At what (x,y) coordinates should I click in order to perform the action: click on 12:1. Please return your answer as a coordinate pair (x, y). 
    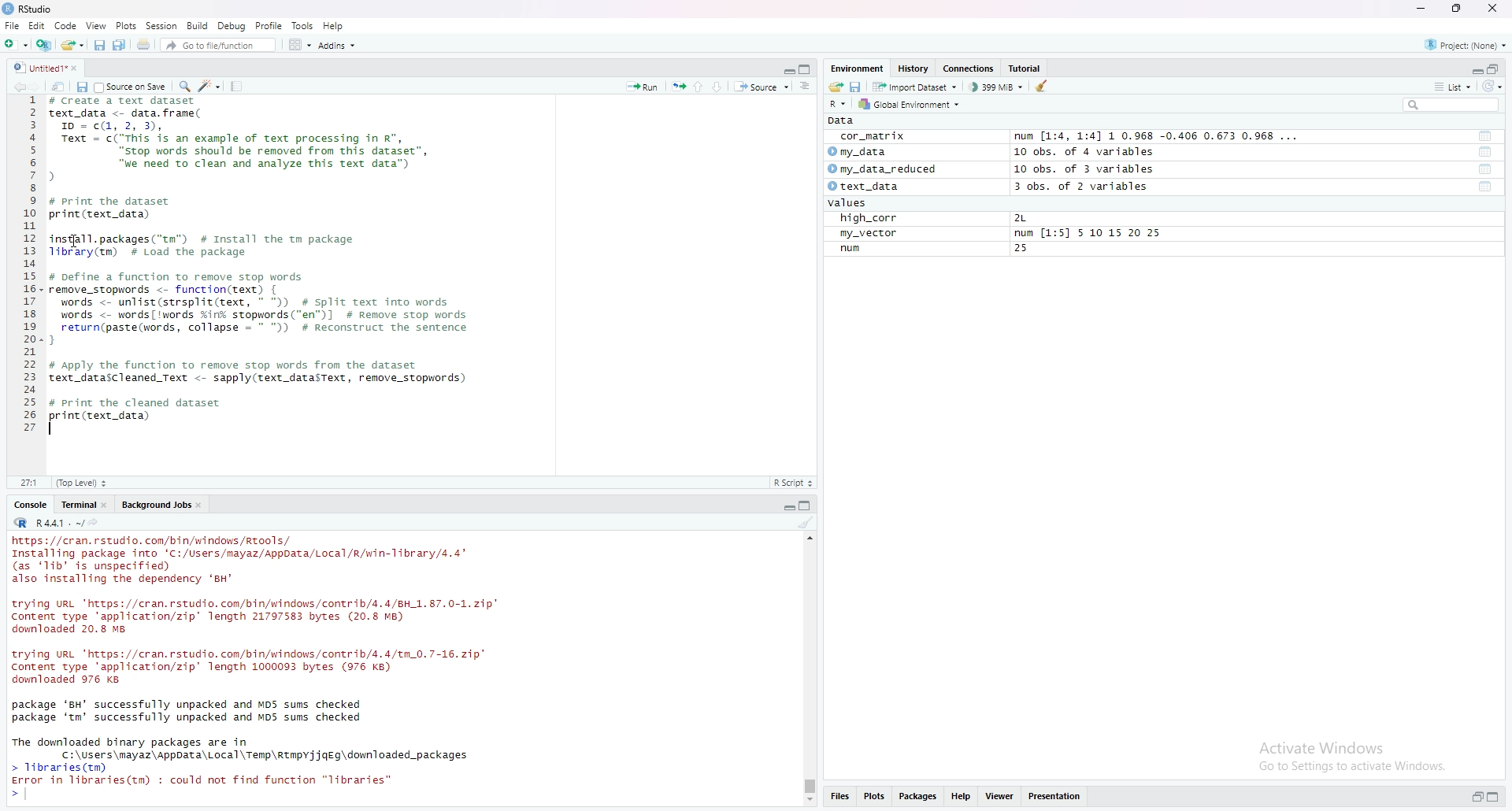
    Looking at the image, I should click on (30, 483).